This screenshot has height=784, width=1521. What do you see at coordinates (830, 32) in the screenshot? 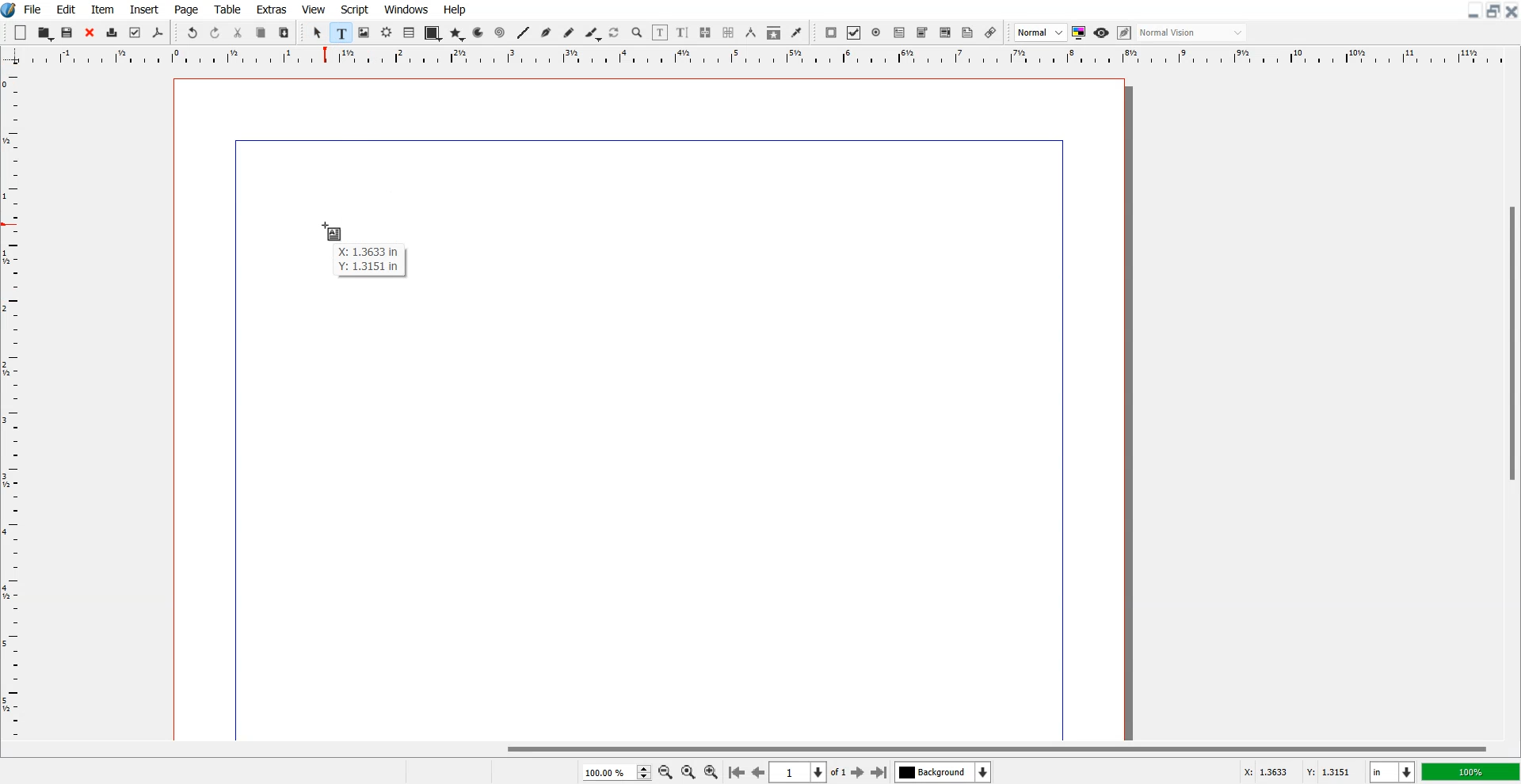
I see `PDF Push button ` at bounding box center [830, 32].